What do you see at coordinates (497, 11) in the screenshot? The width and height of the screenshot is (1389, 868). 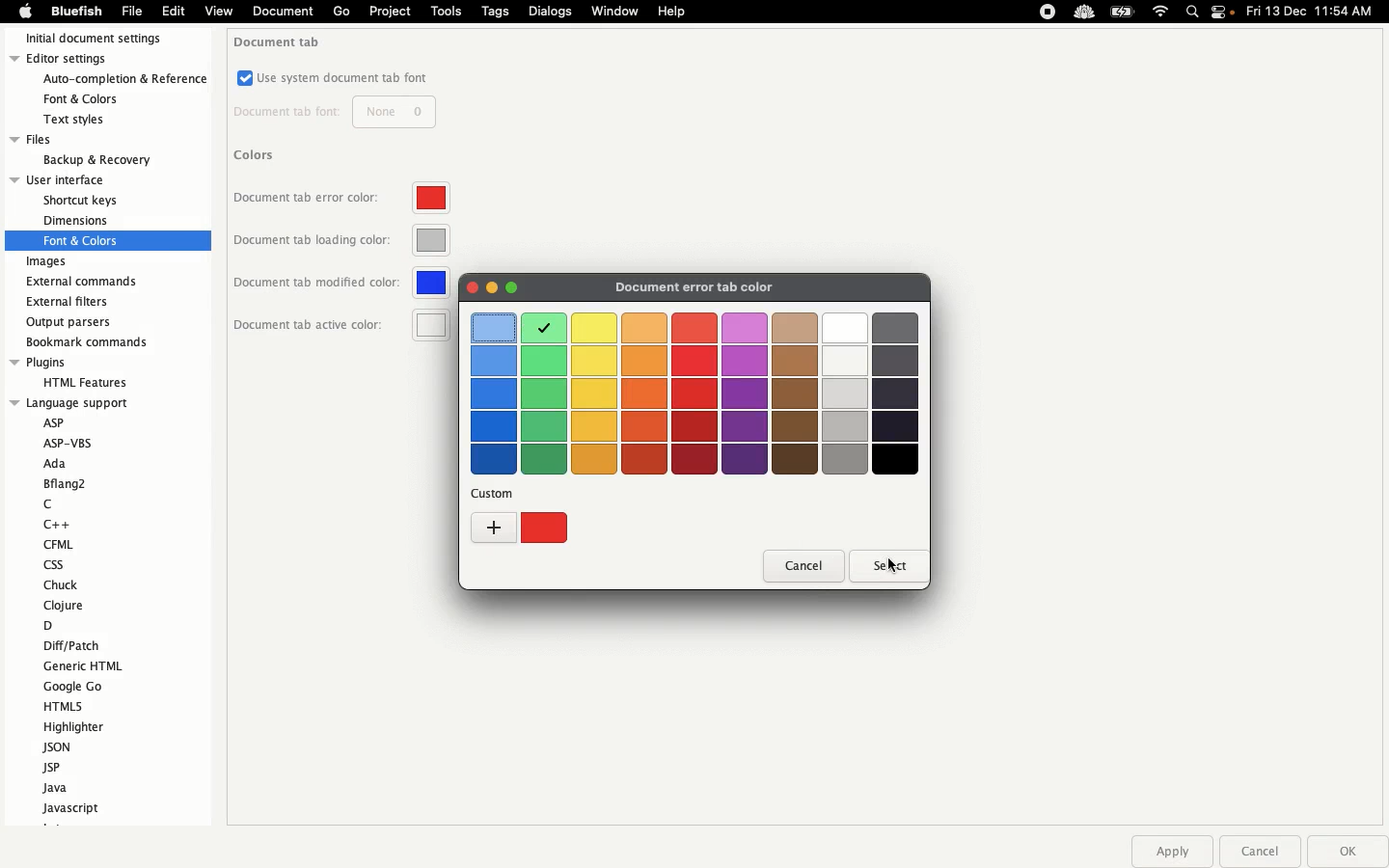 I see `Tags` at bounding box center [497, 11].